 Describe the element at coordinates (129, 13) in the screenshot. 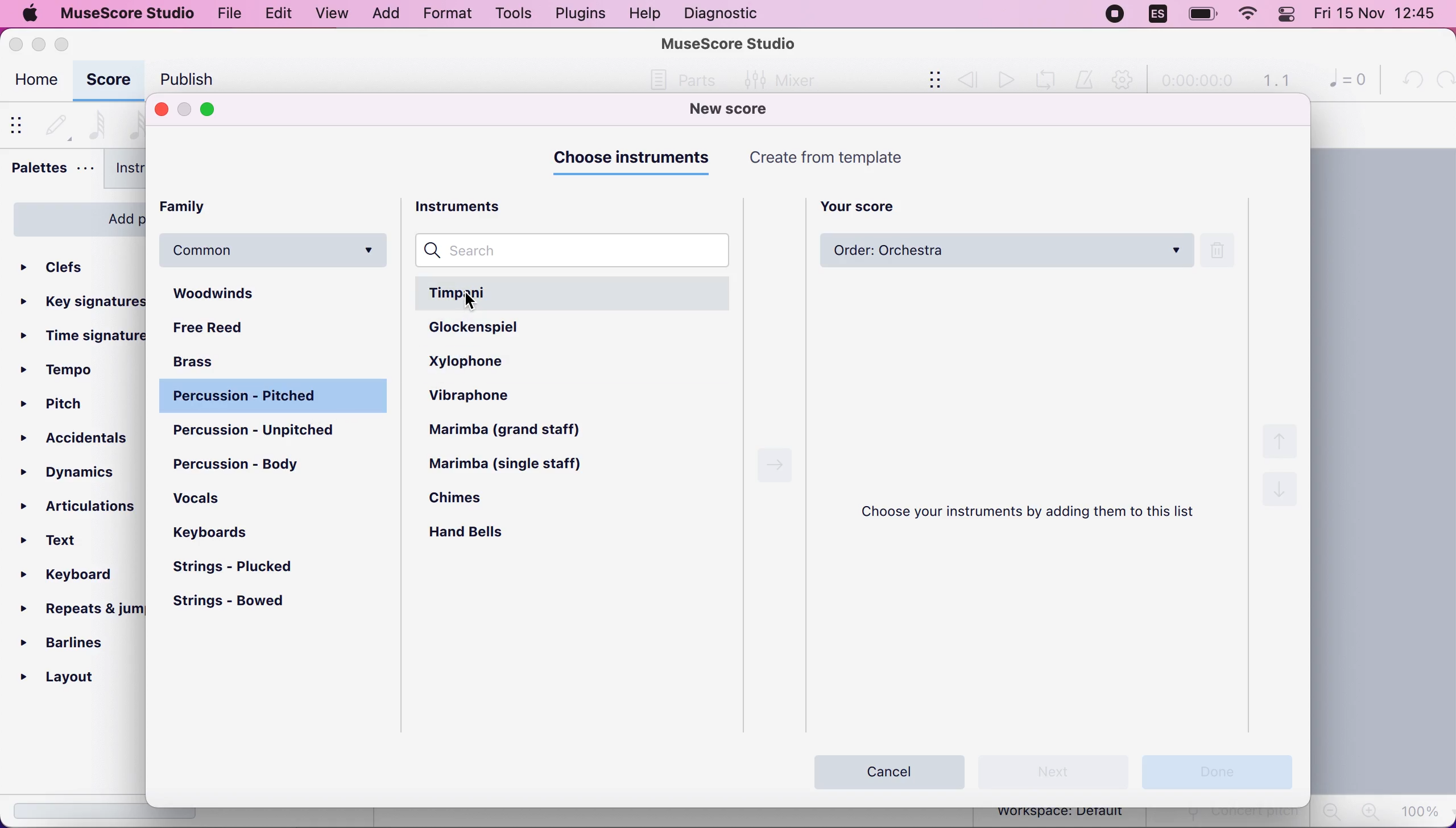

I see `musescore studio` at that location.